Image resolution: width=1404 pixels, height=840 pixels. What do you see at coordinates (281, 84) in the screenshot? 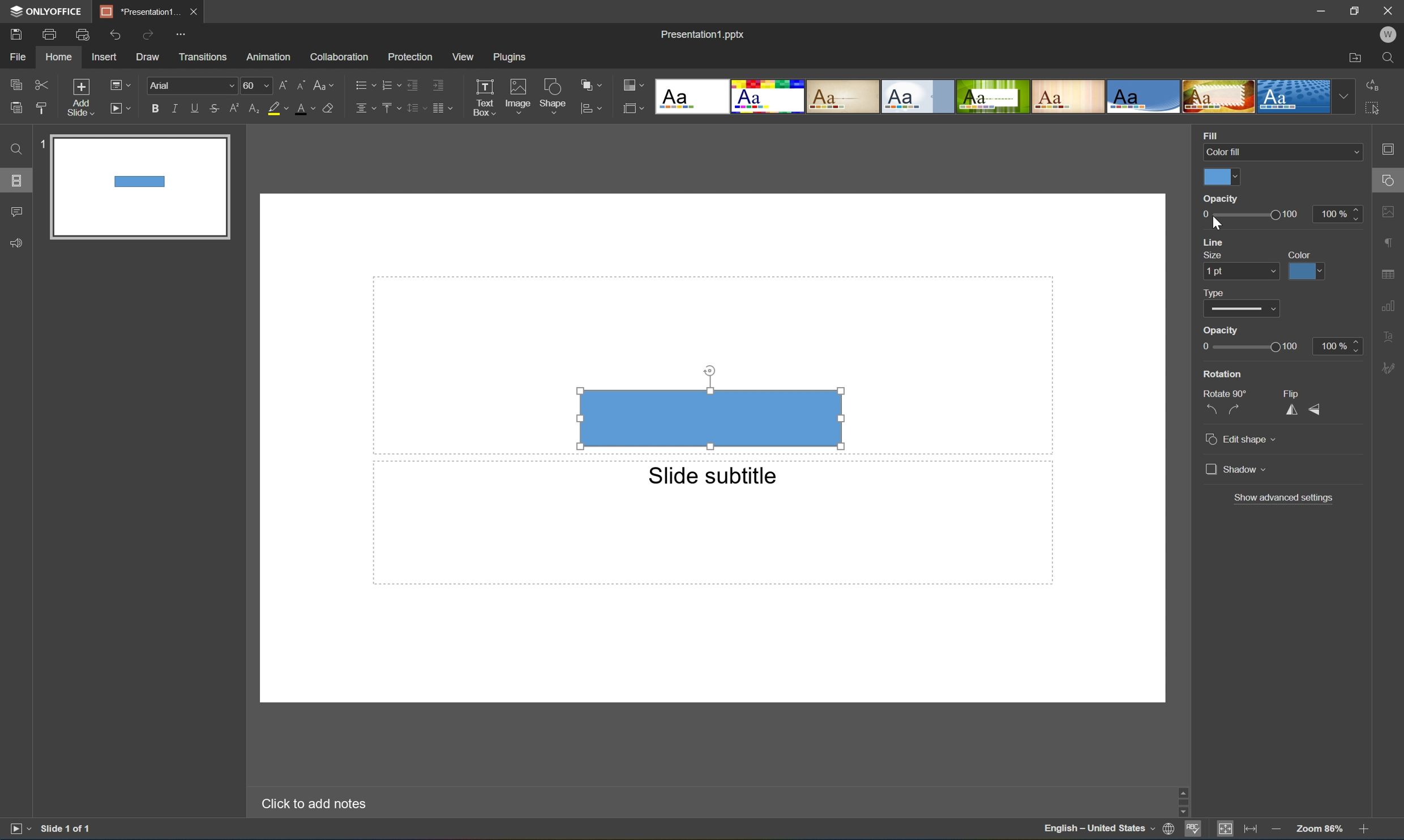
I see `Increment font size` at bounding box center [281, 84].